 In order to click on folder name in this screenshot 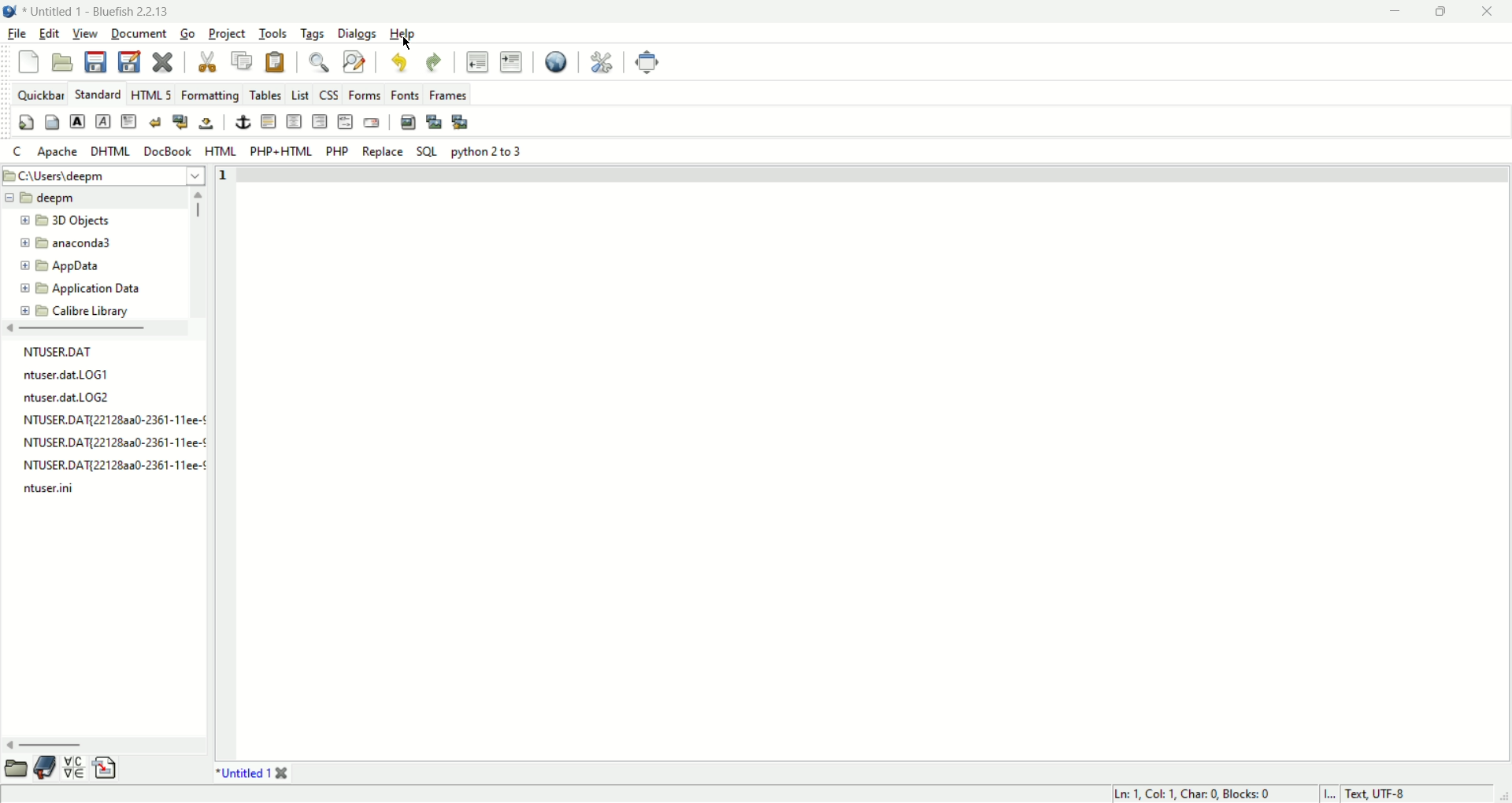, I will do `click(65, 244)`.